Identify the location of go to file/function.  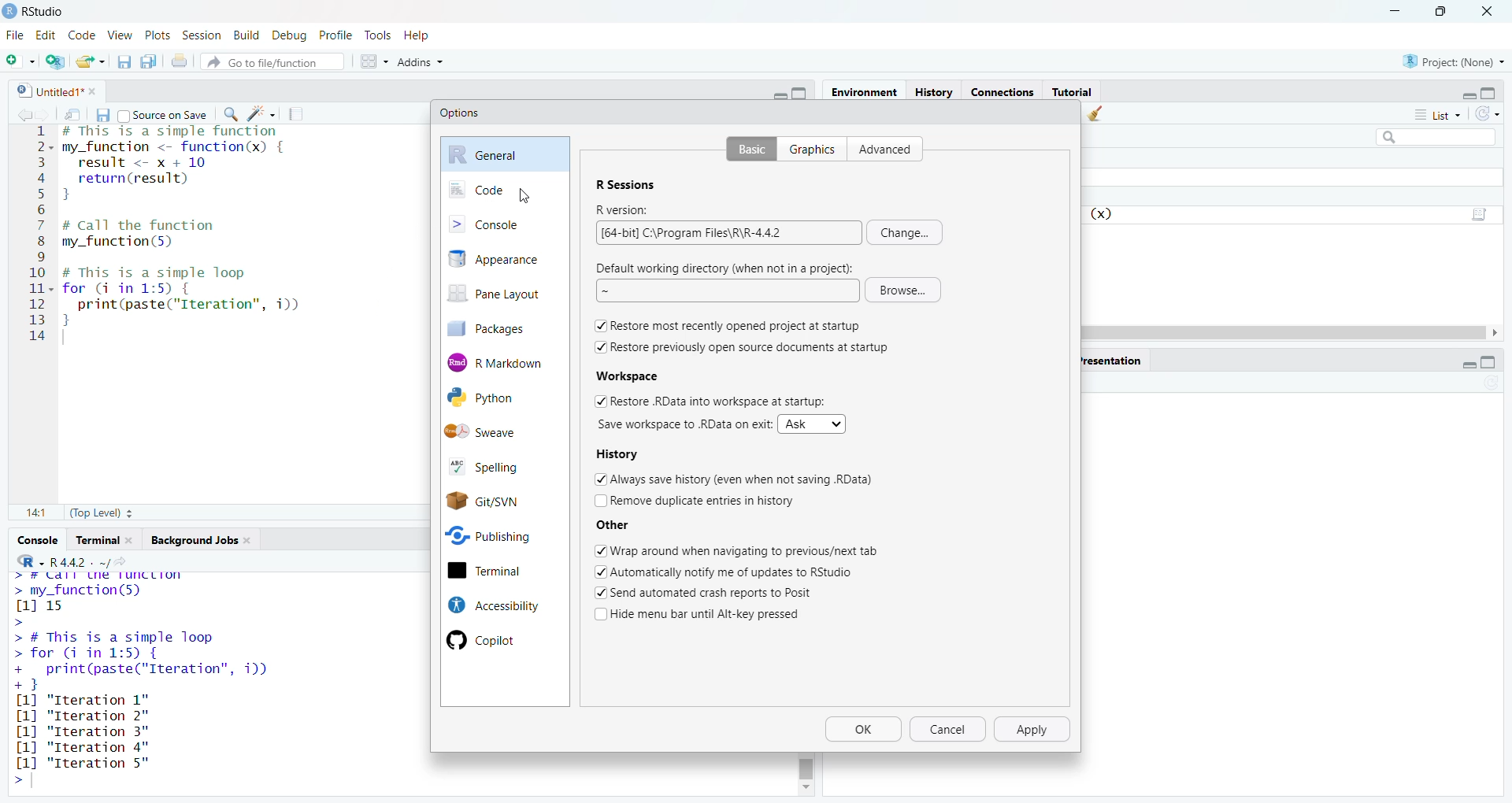
(273, 60).